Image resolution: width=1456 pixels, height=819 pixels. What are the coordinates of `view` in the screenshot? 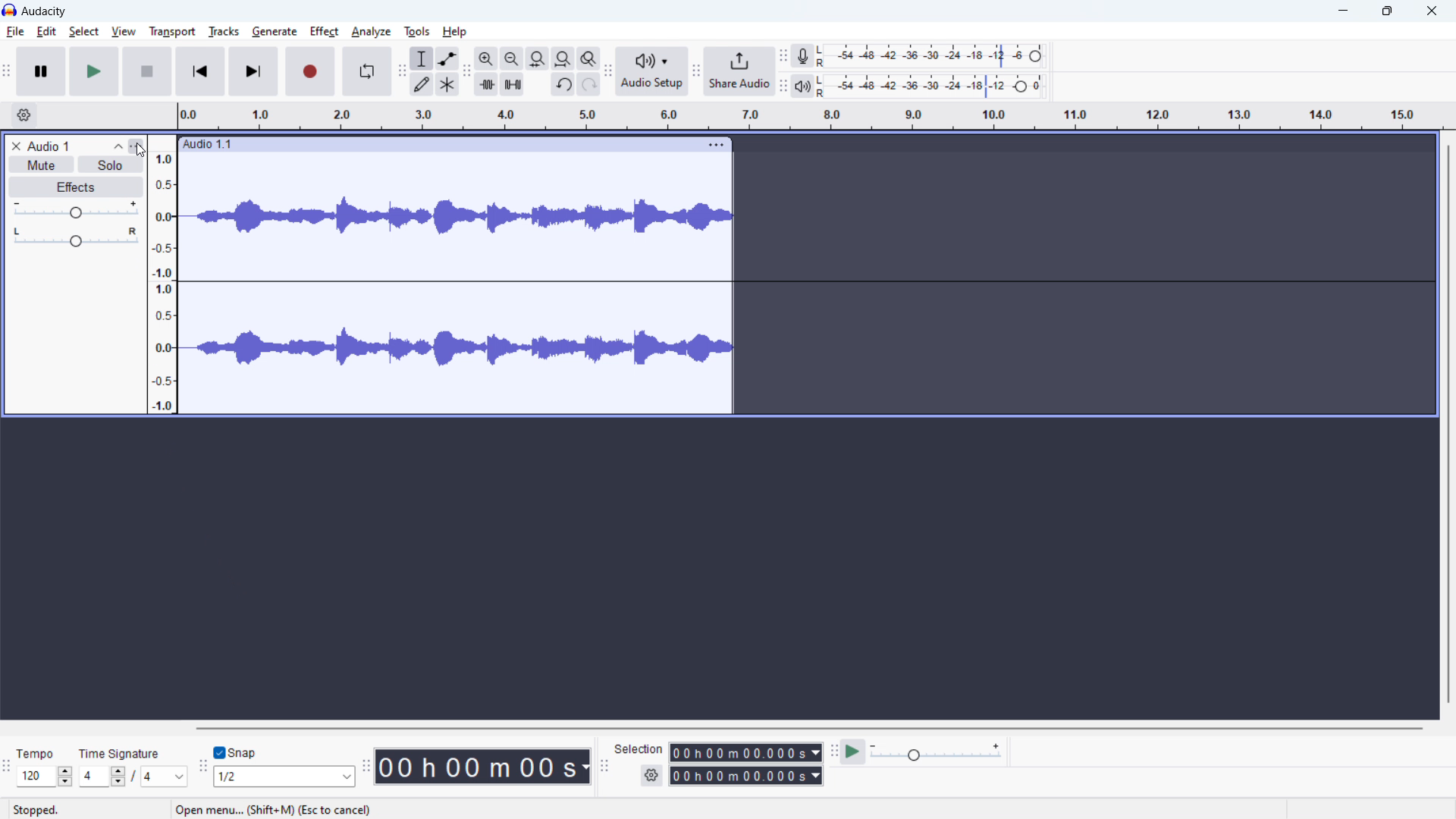 It's located at (124, 31).